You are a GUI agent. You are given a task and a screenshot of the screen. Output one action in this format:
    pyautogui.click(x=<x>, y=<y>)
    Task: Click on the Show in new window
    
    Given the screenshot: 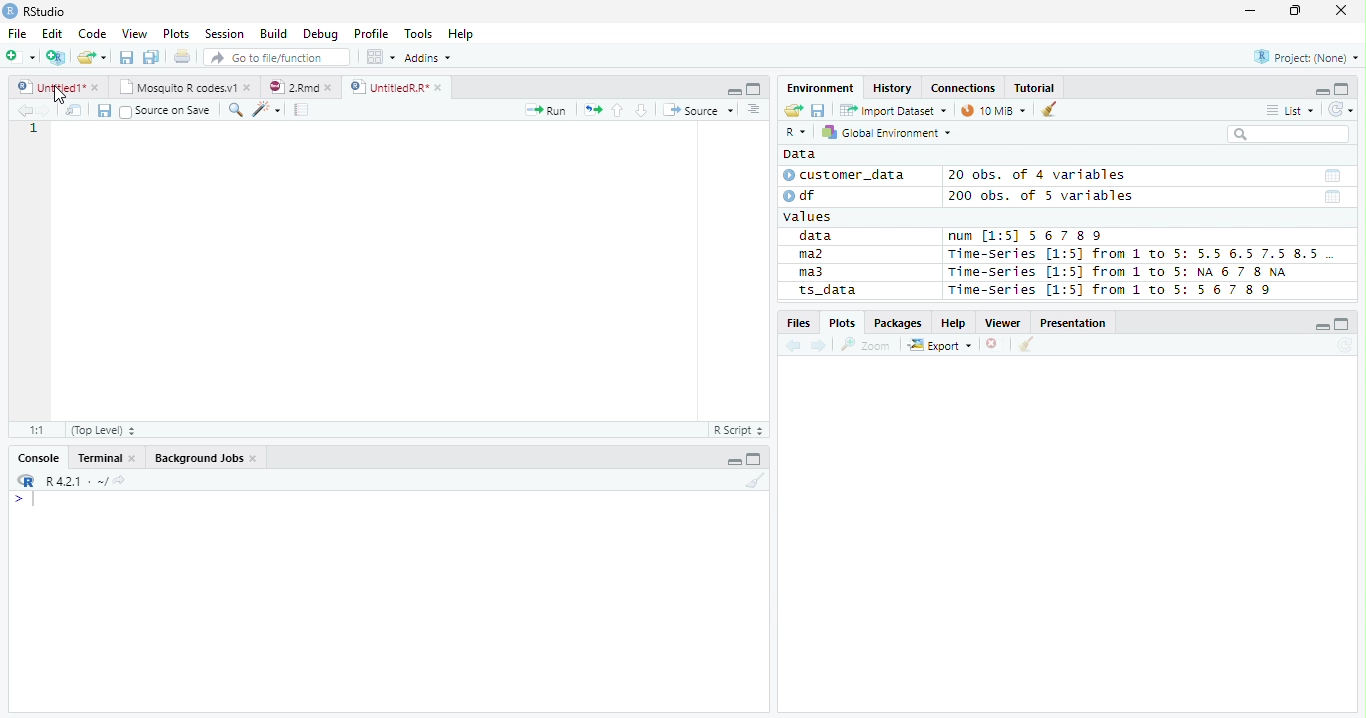 What is the action you would take?
    pyautogui.click(x=74, y=111)
    